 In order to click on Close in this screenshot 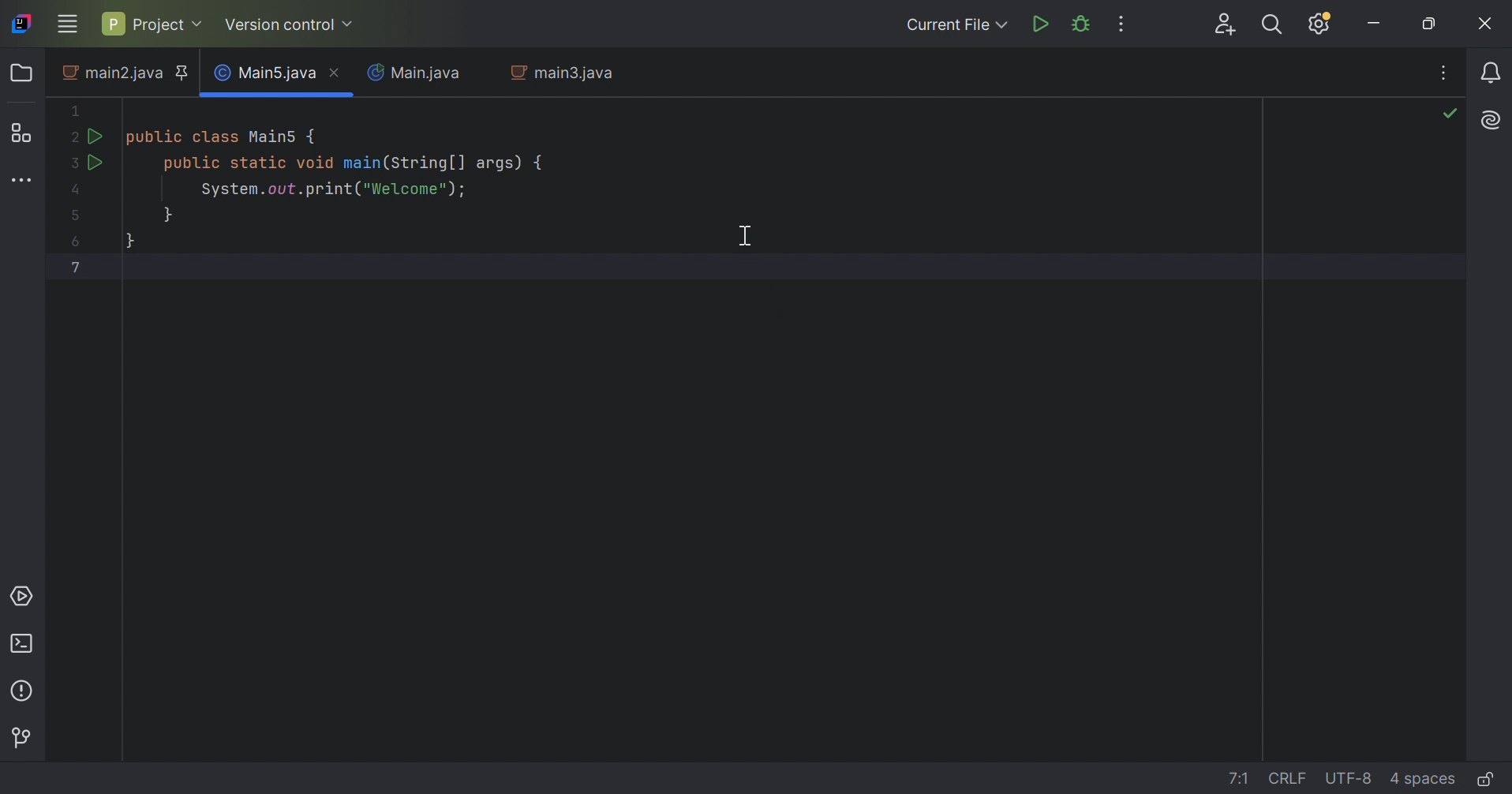, I will do `click(1486, 22)`.